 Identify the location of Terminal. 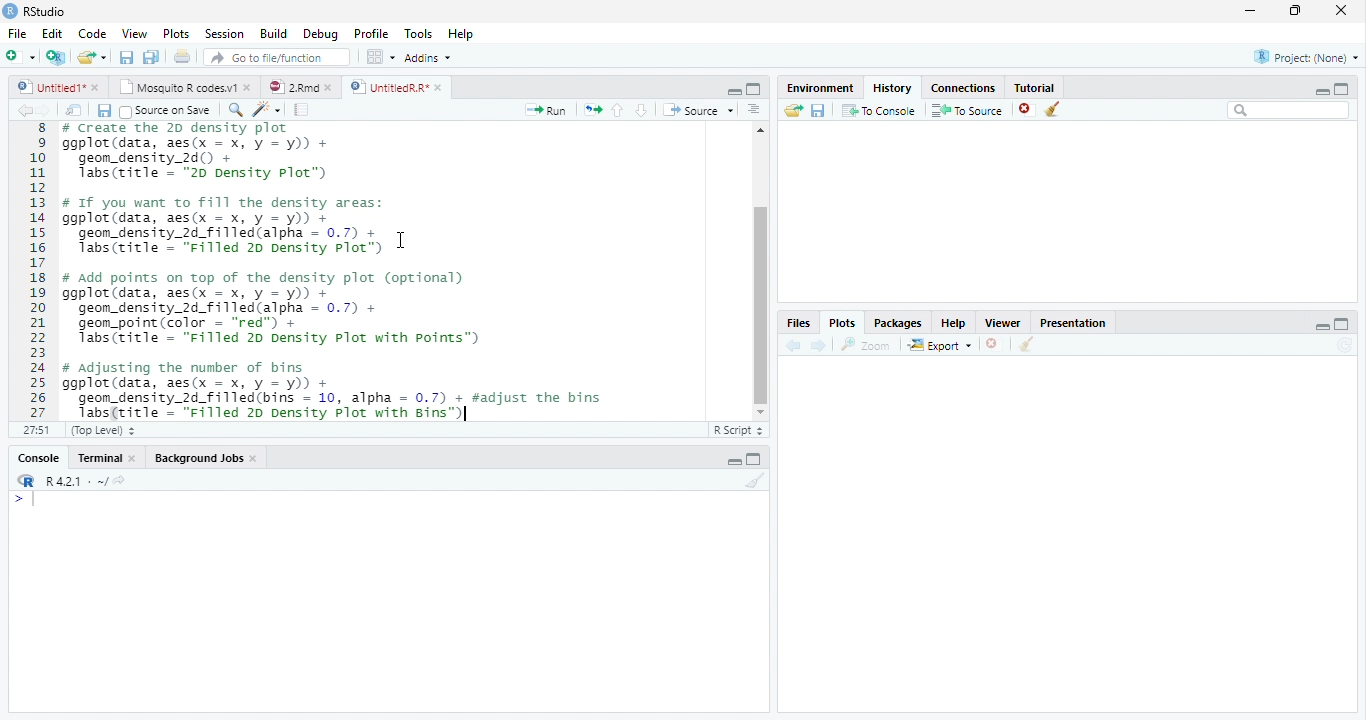
(99, 458).